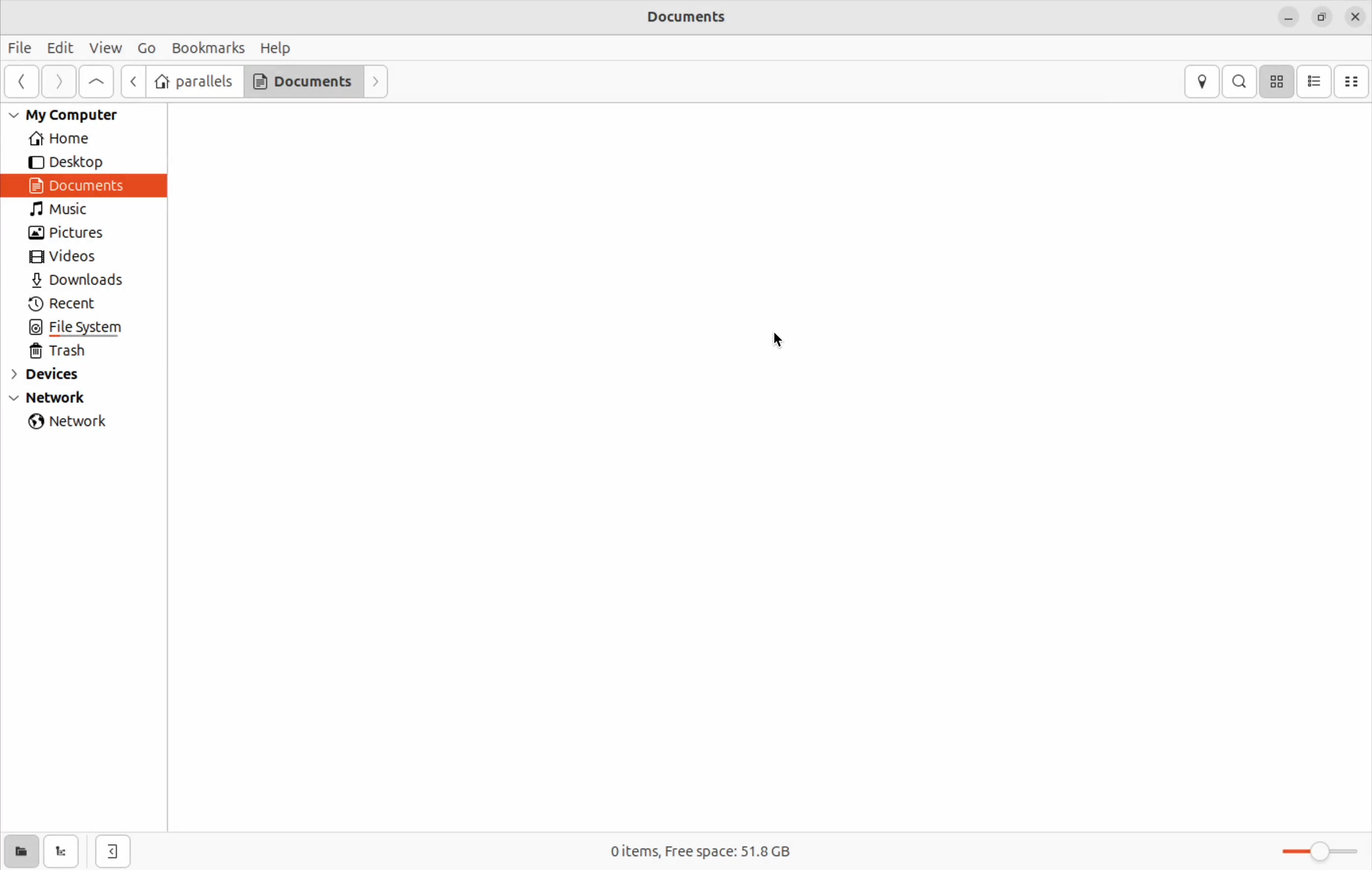  I want to click on Edit, so click(59, 47).